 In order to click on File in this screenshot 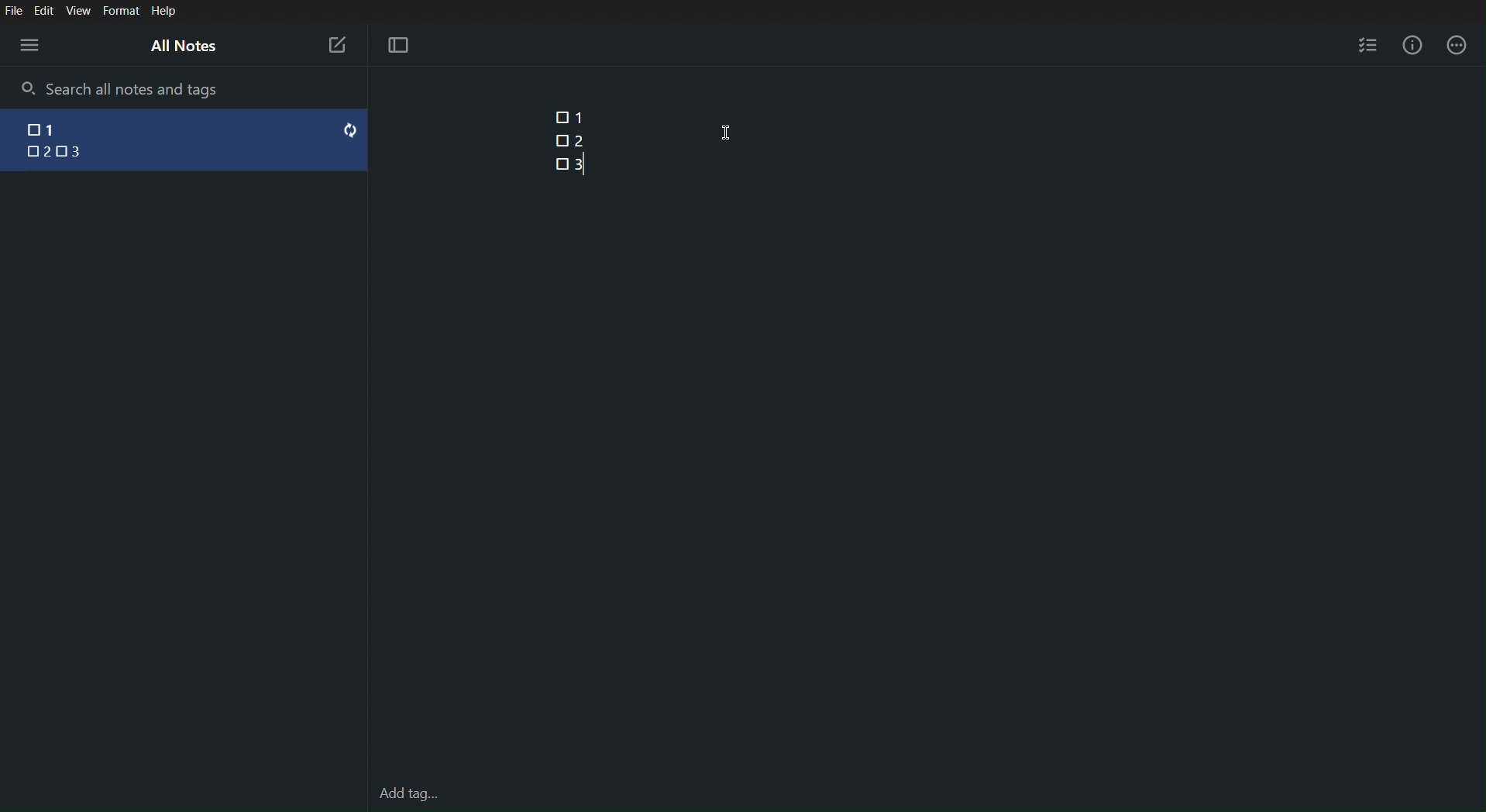, I will do `click(13, 10)`.